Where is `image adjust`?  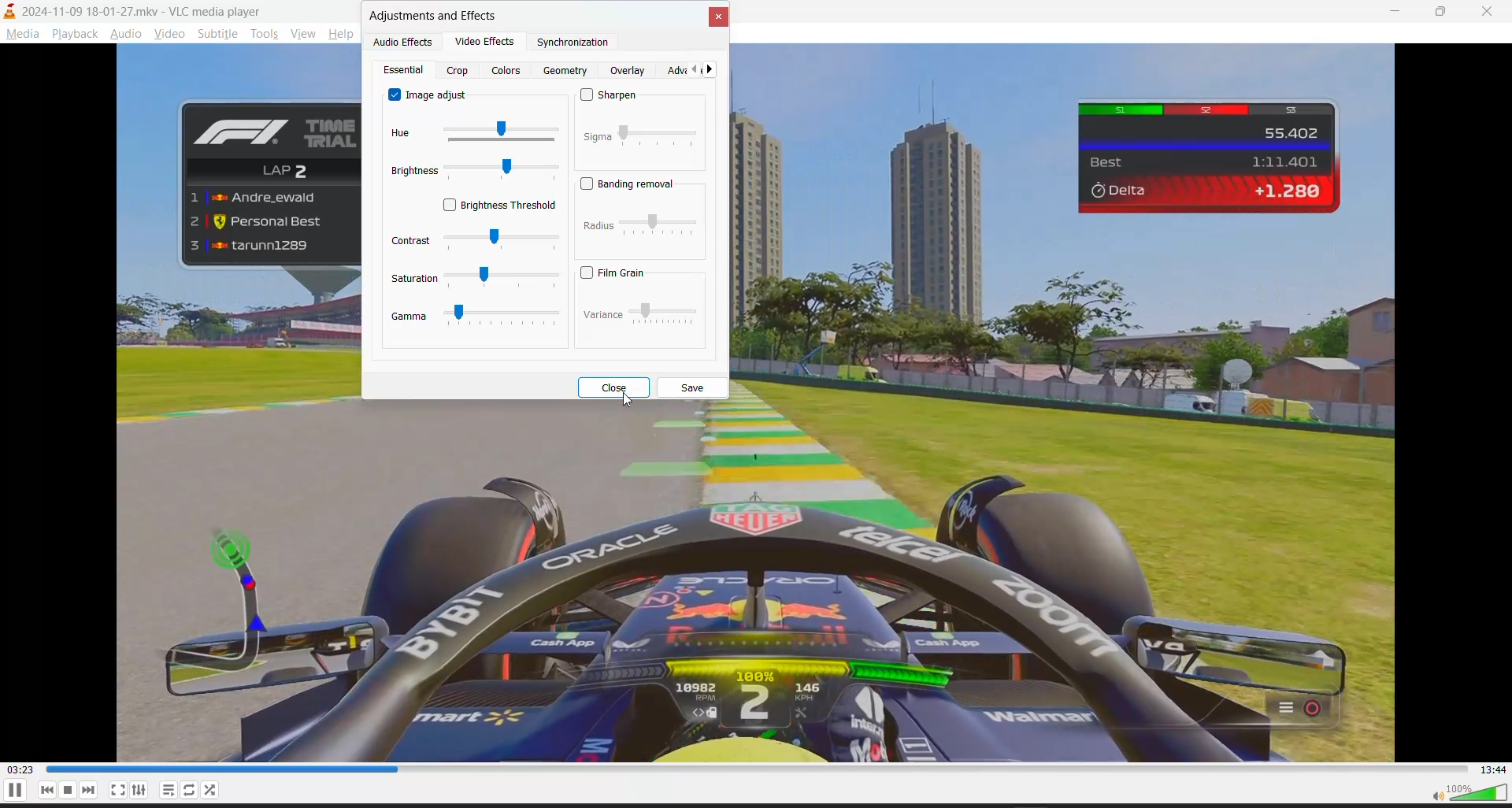 image adjust is located at coordinates (430, 94).